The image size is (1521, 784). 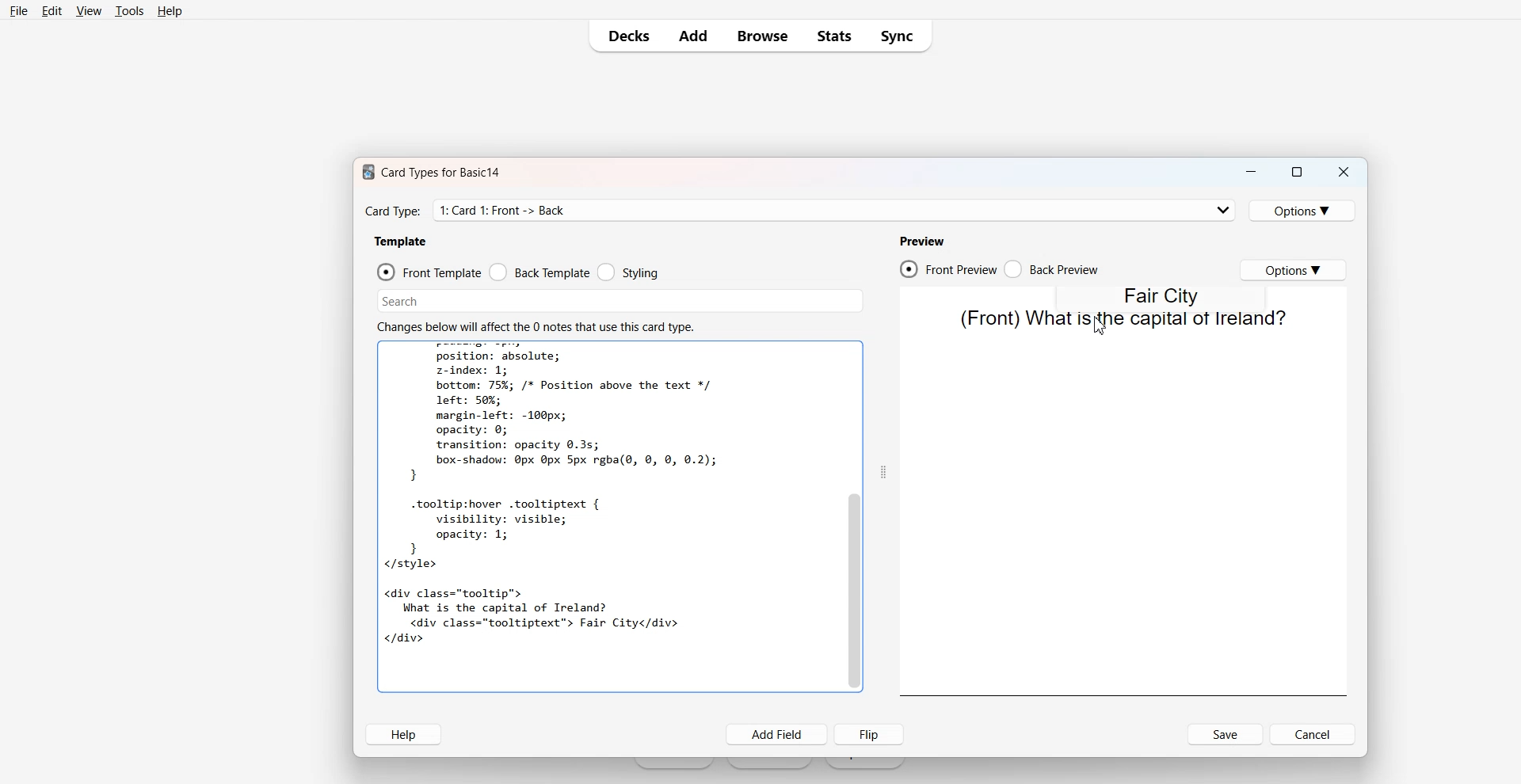 I want to click on Scroll bar, so click(x=855, y=517).